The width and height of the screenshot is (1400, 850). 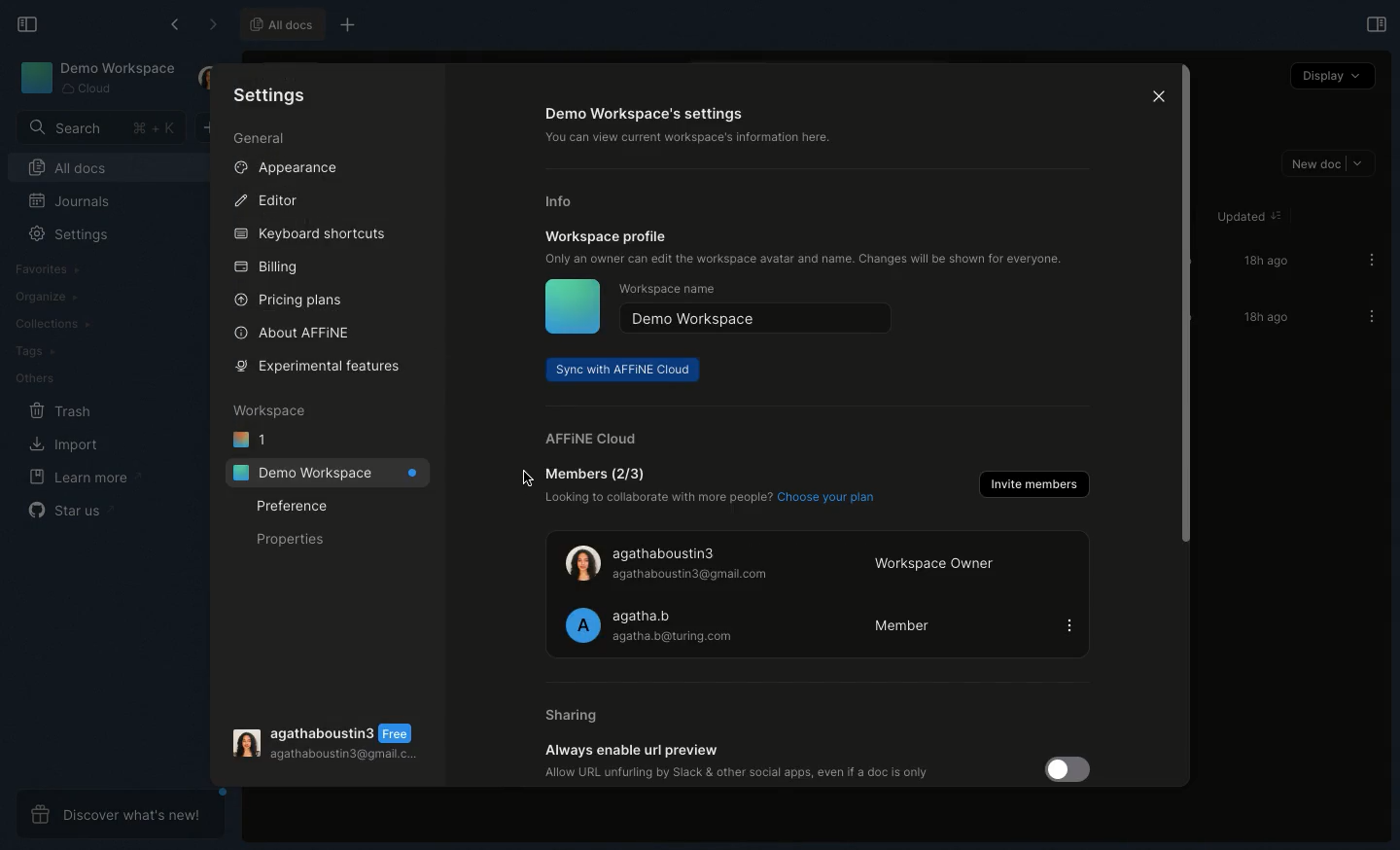 What do you see at coordinates (253, 437) in the screenshot?
I see `1` at bounding box center [253, 437].